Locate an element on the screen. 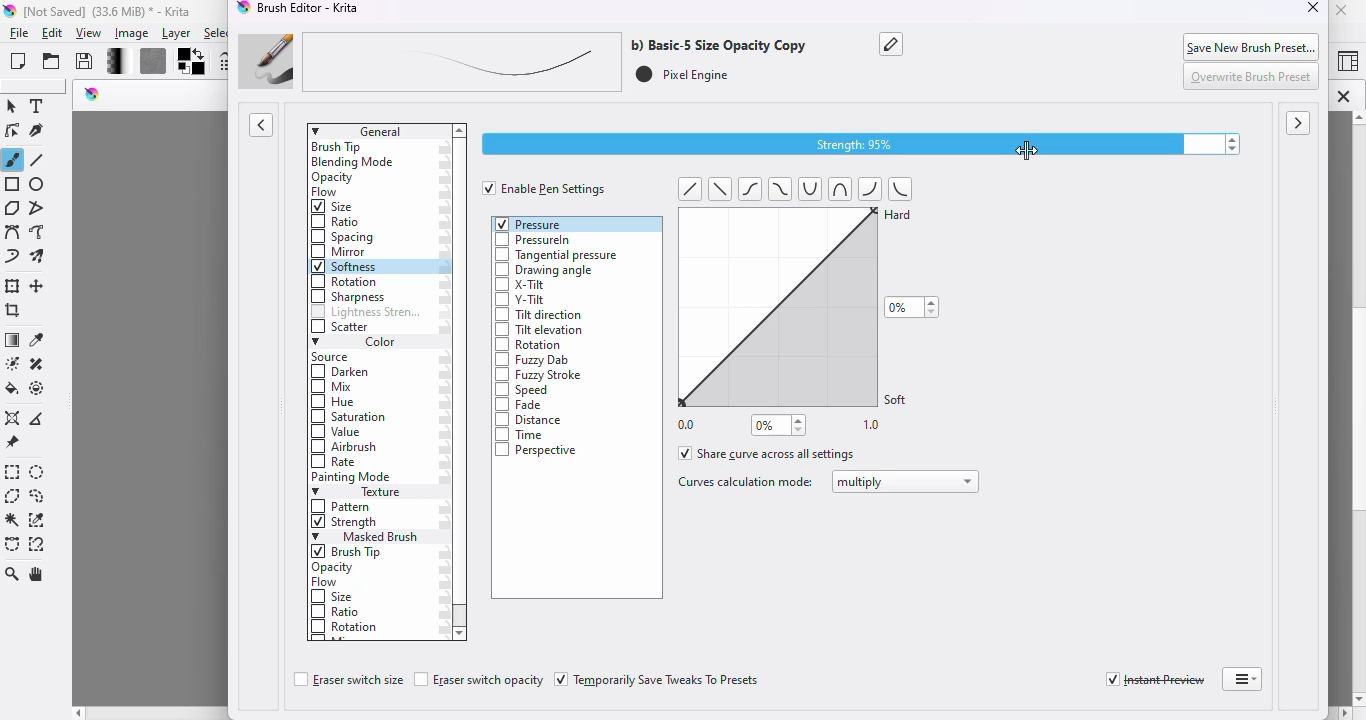 This screenshot has width=1366, height=720. instant preview is located at coordinates (1155, 680).